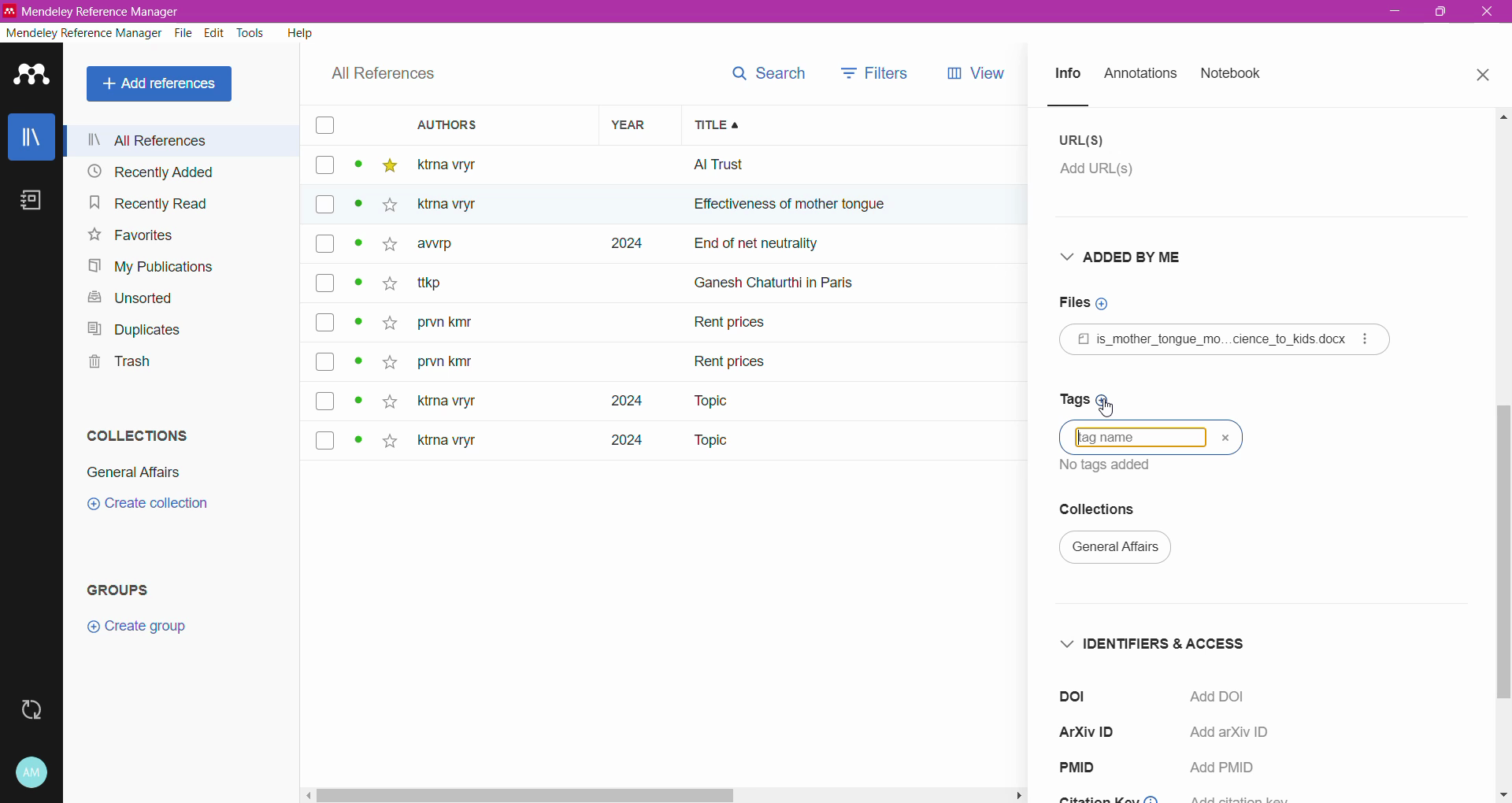 The height and width of the screenshot is (803, 1512). Describe the element at coordinates (132, 235) in the screenshot. I see `Favorites` at that location.